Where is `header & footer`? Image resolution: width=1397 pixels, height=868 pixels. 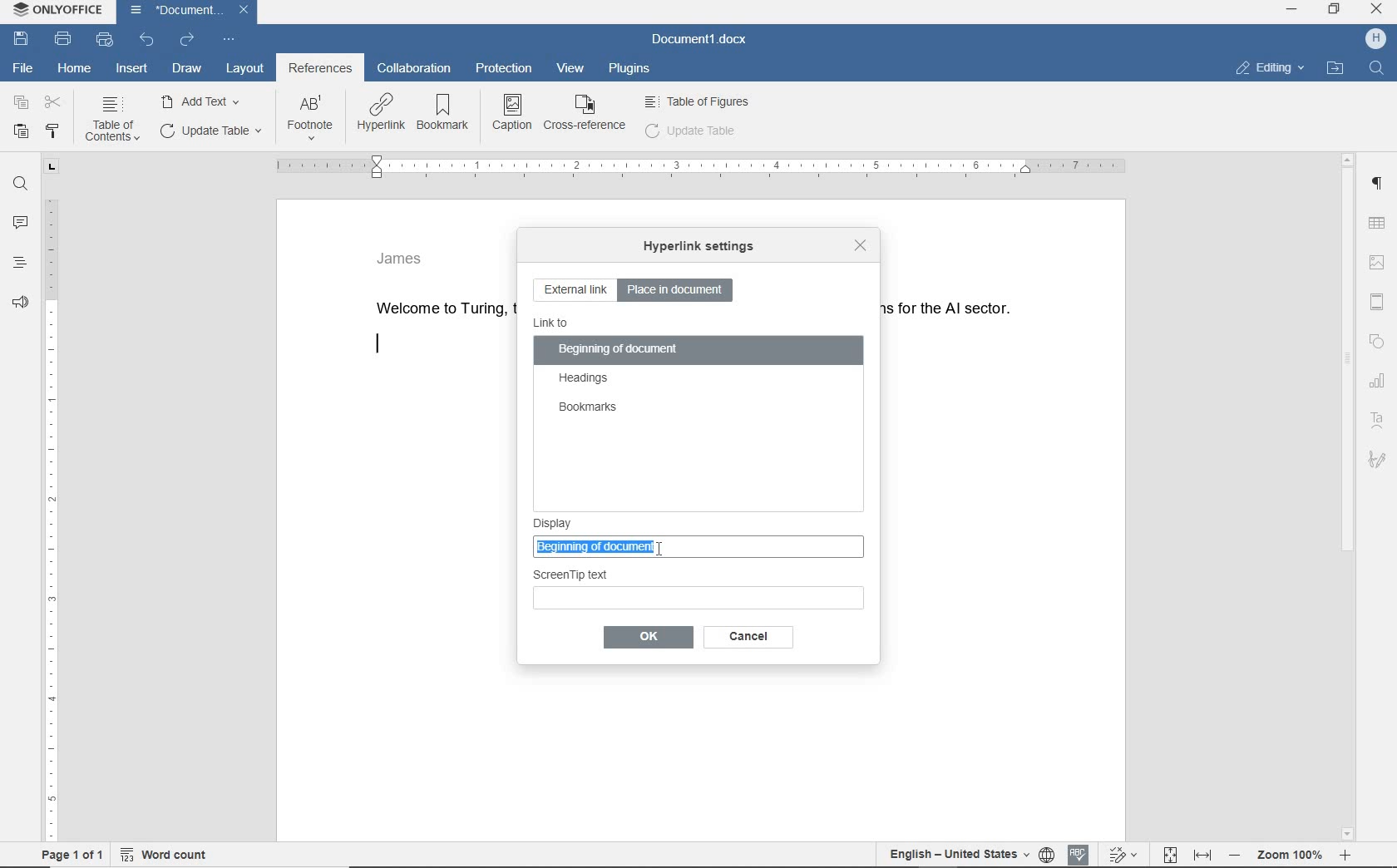 header & footer is located at coordinates (1376, 300).